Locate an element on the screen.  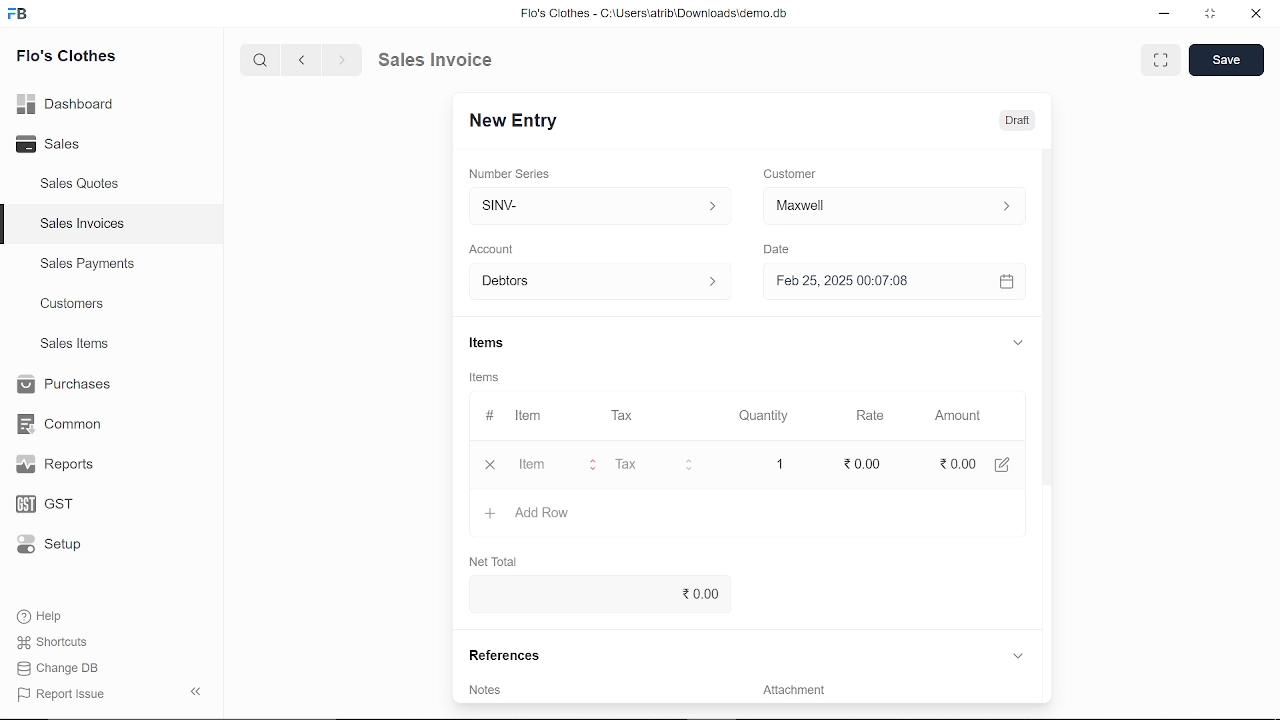
open calender is located at coordinates (1006, 282).